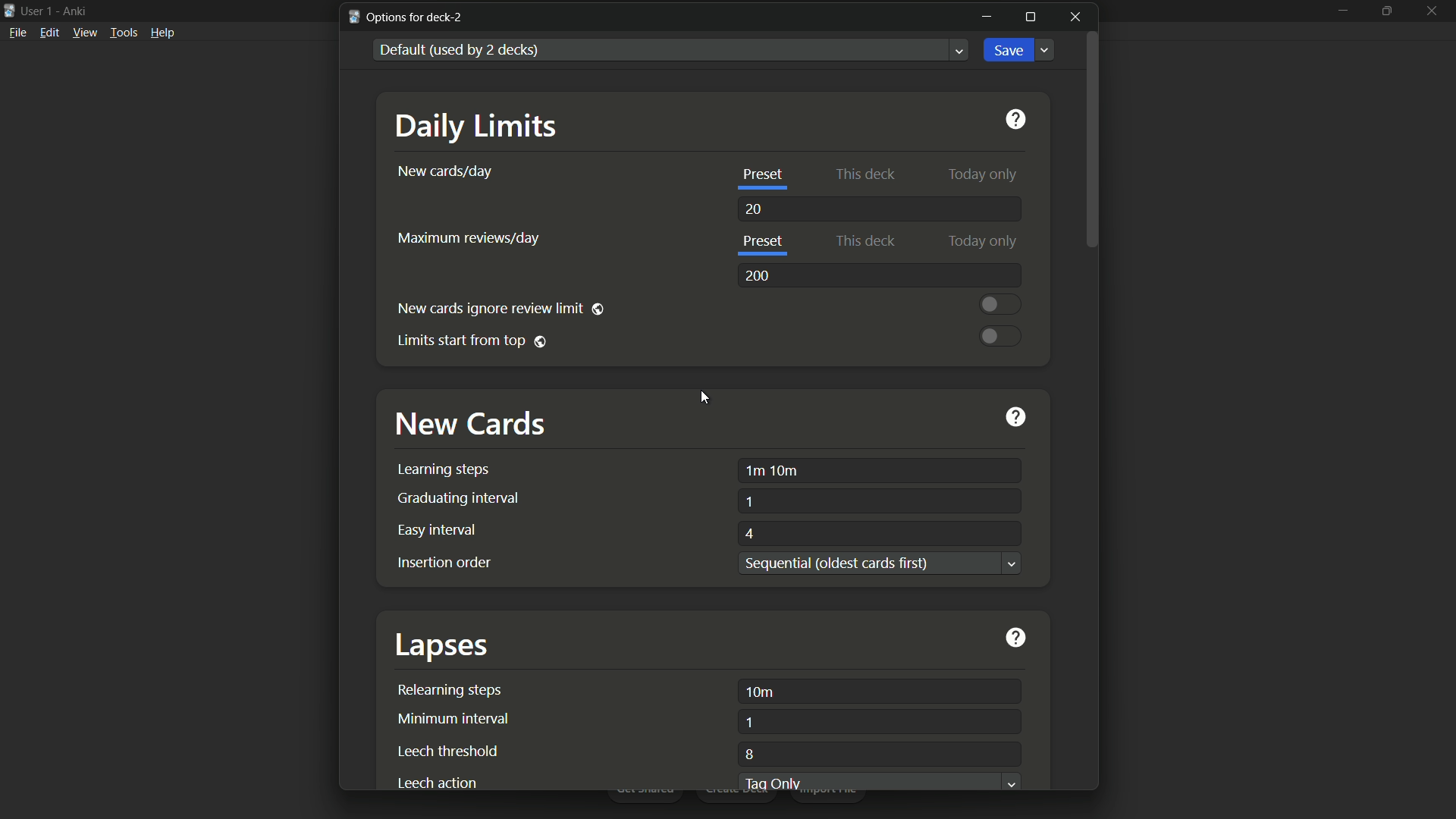 The width and height of the screenshot is (1456, 819). What do you see at coordinates (1000, 303) in the screenshot?
I see `toggle button` at bounding box center [1000, 303].